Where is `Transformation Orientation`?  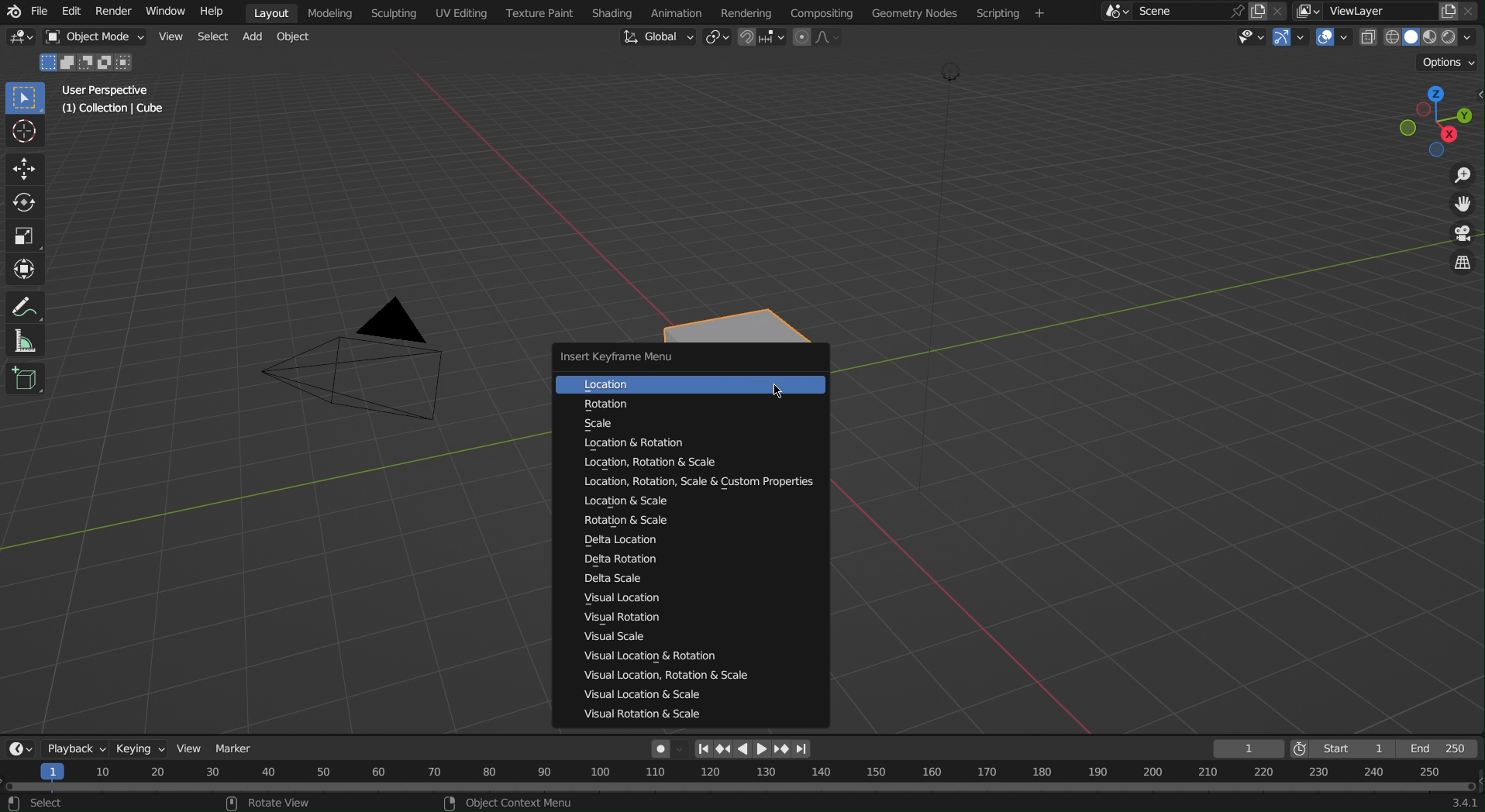
Transformation Orientation is located at coordinates (657, 40).